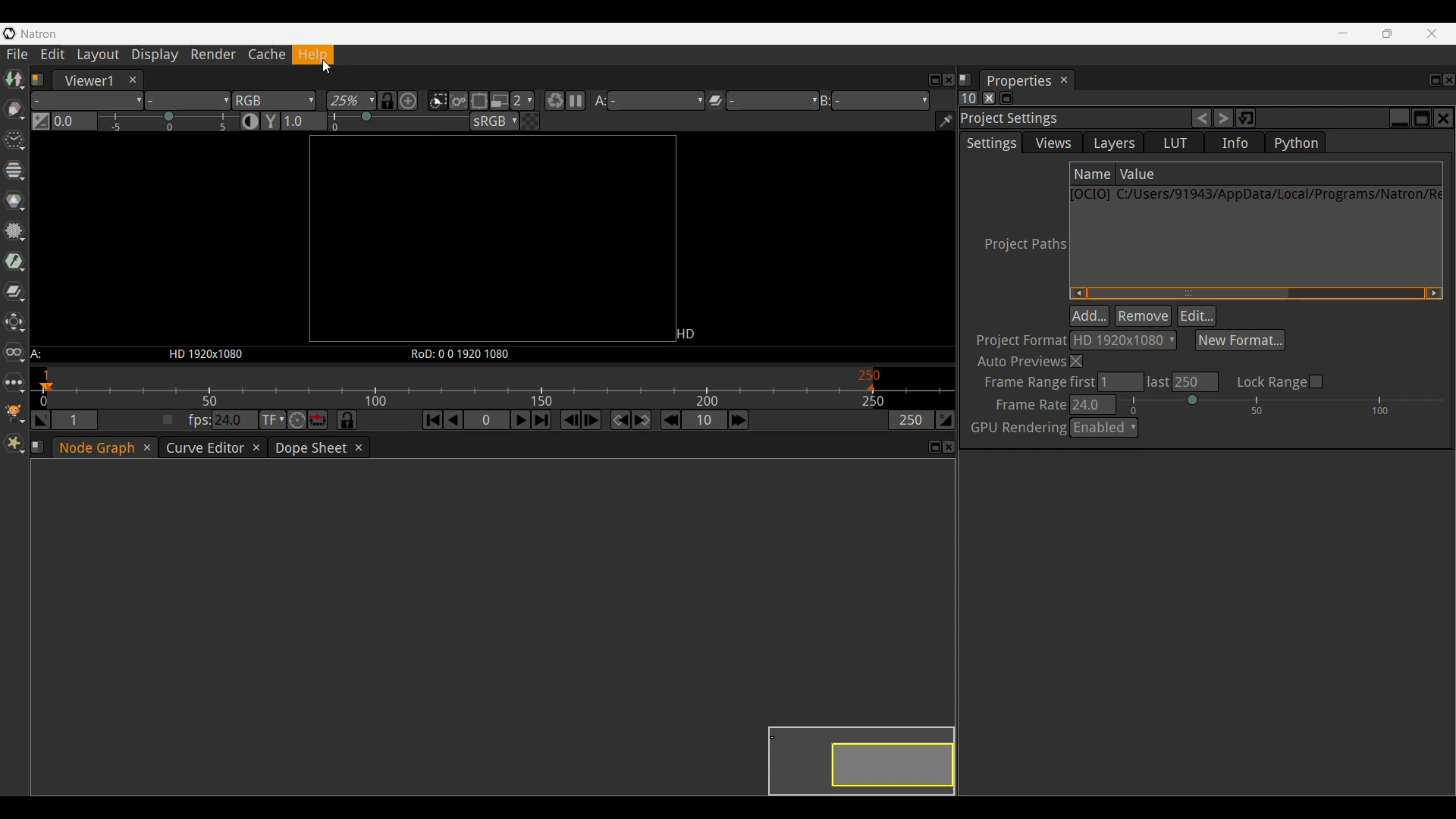  Describe the element at coordinates (1106, 430) in the screenshot. I see `Enabled` at that location.